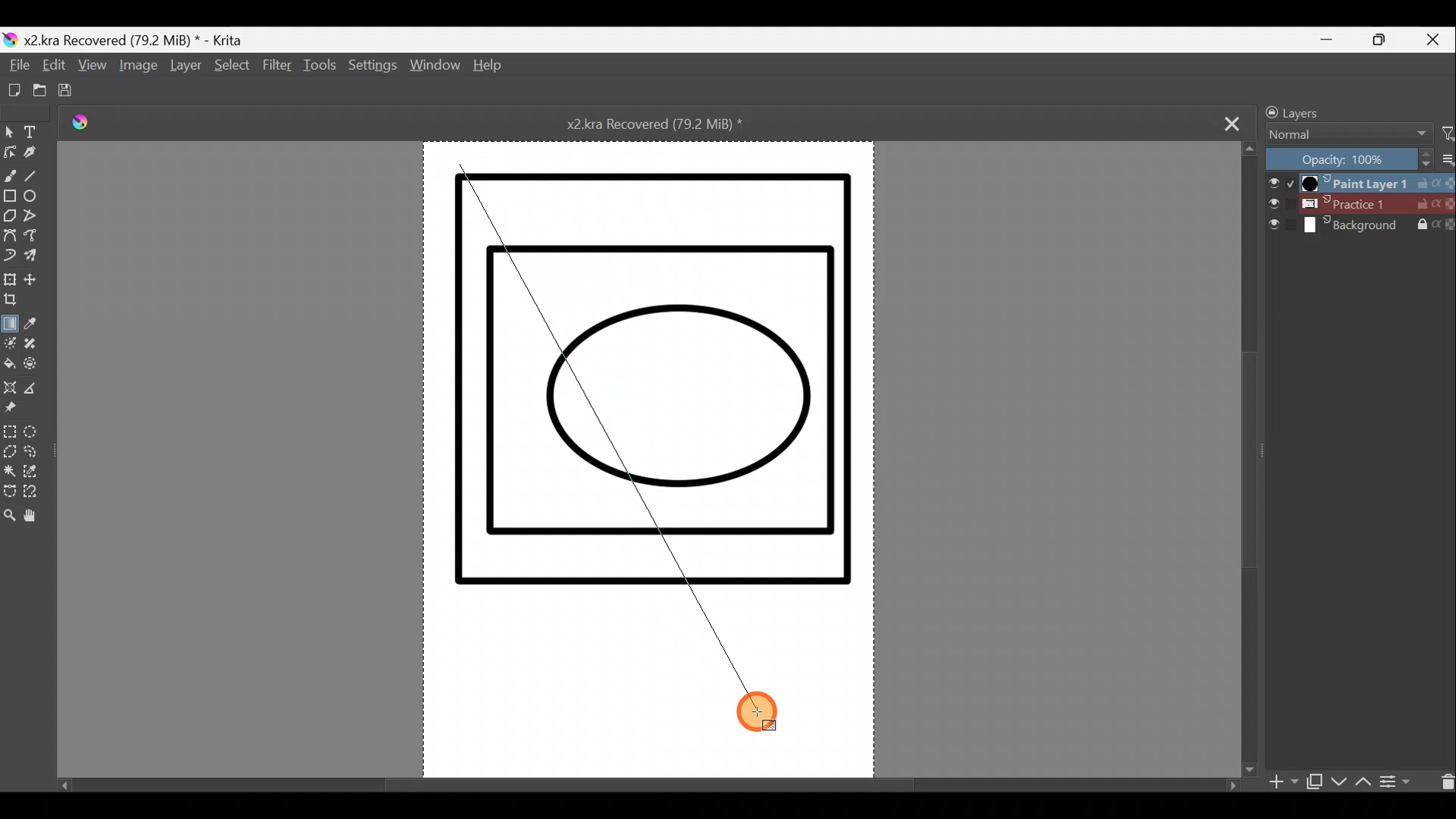 The image size is (1456, 819). Describe the element at coordinates (1334, 39) in the screenshot. I see `Minimise` at that location.